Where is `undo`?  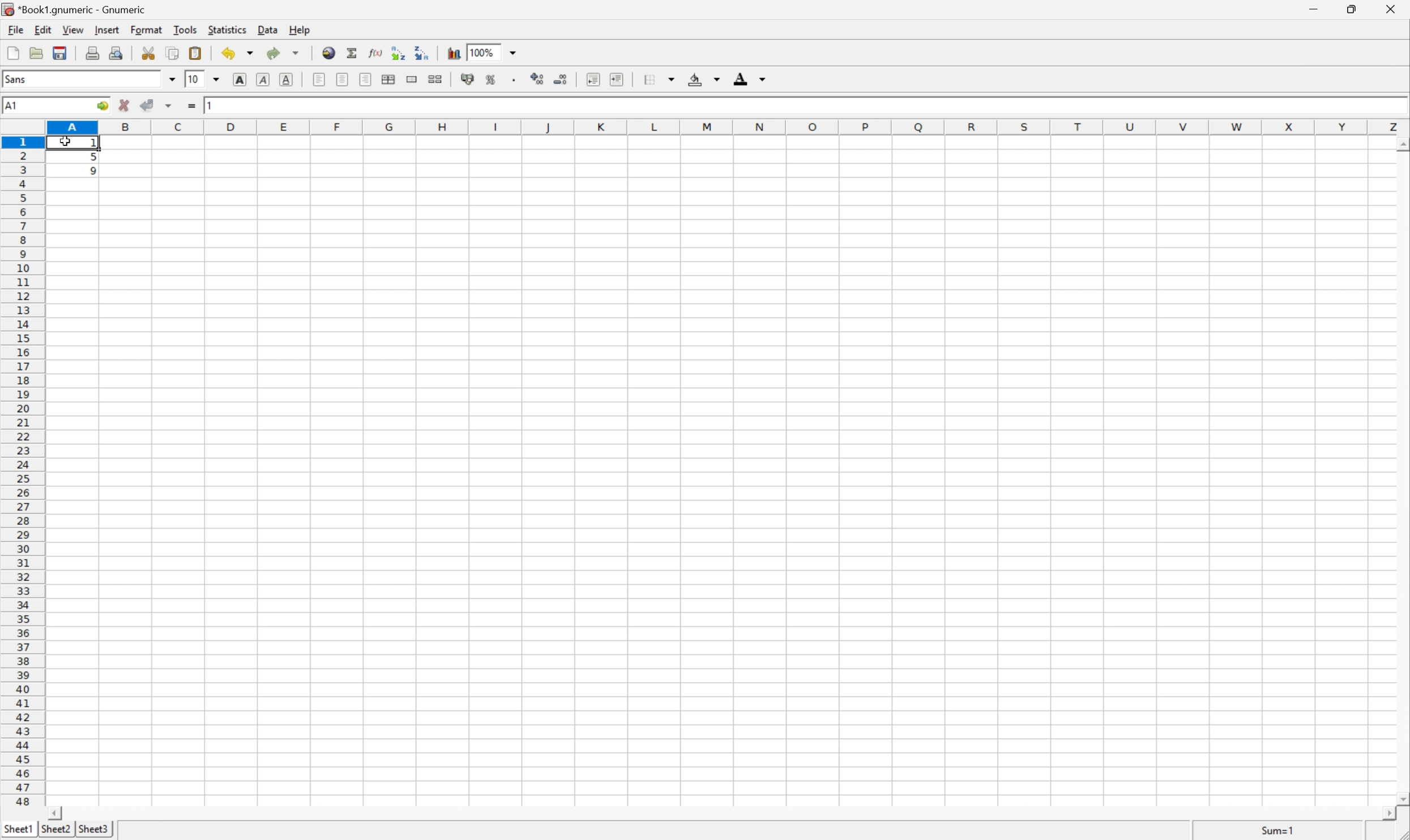 undo is located at coordinates (239, 55).